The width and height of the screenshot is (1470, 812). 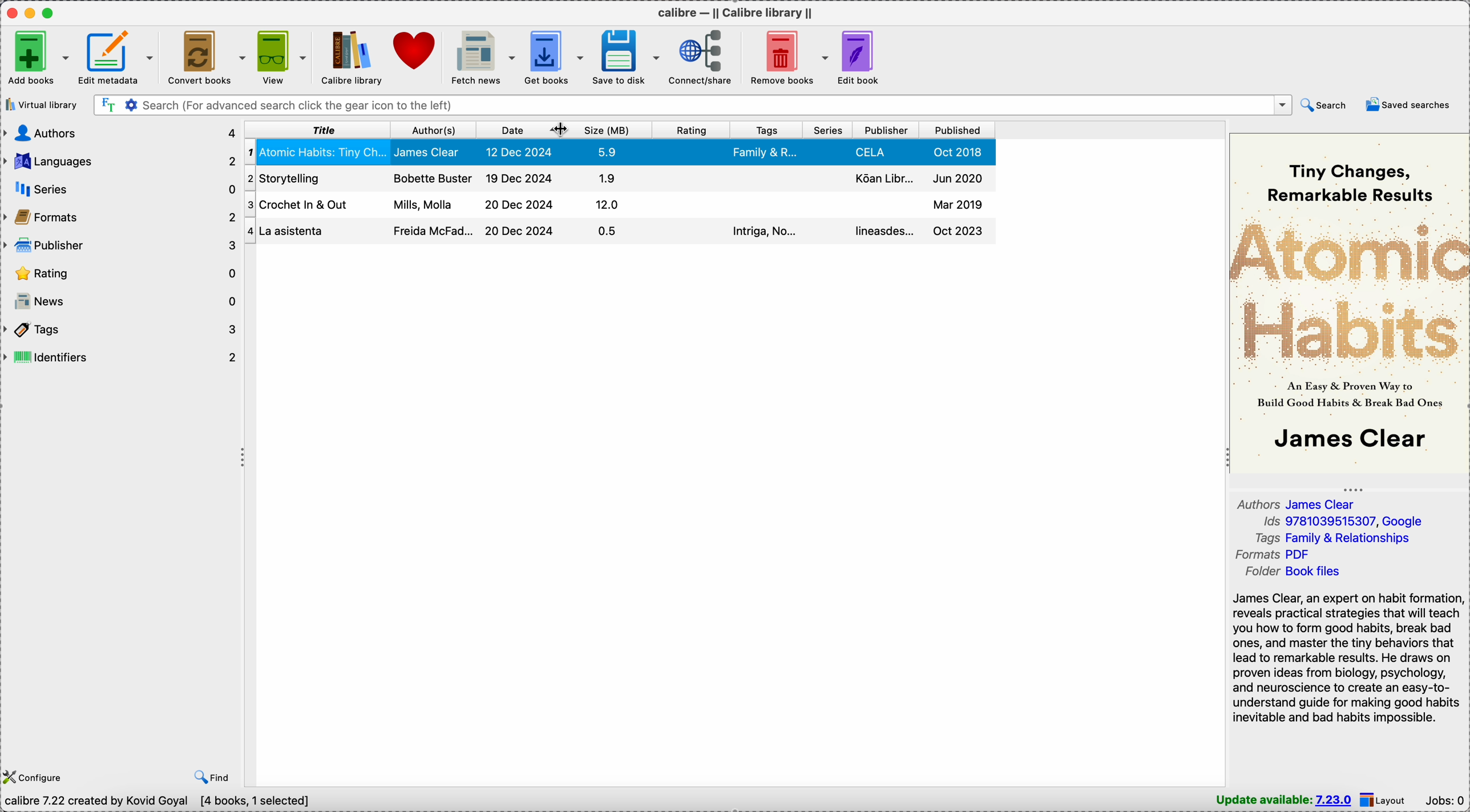 What do you see at coordinates (860, 58) in the screenshot?
I see `edit book` at bounding box center [860, 58].